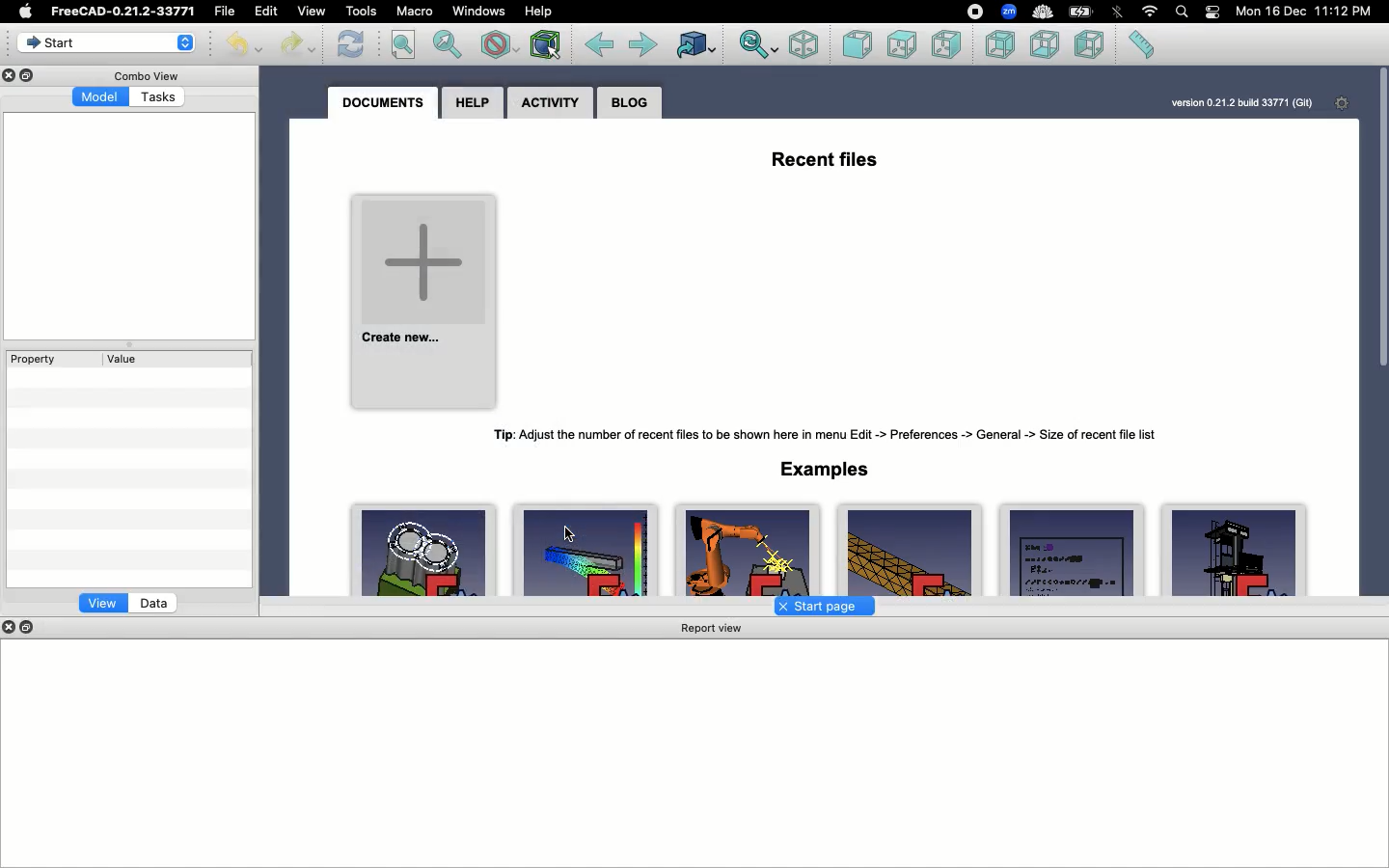 The image size is (1389, 868). I want to click on Property , so click(41, 359).